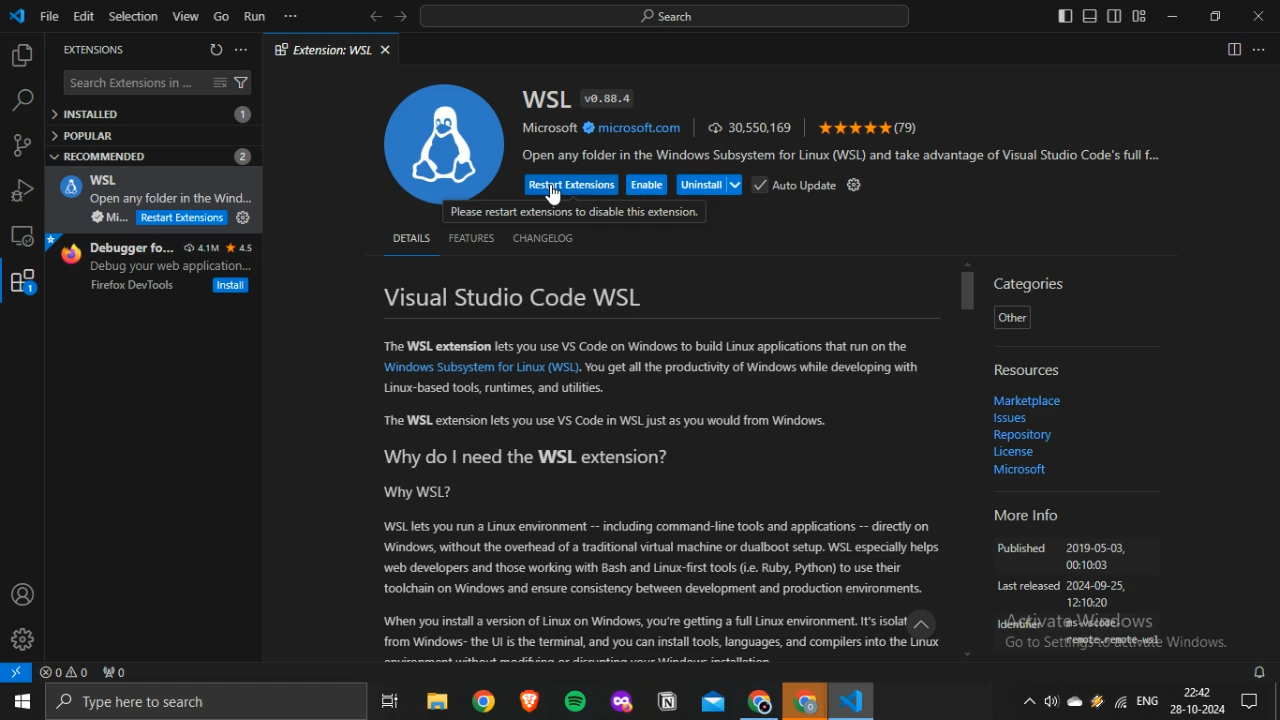 The width and height of the screenshot is (1280, 720). I want to click on more options, so click(240, 49).